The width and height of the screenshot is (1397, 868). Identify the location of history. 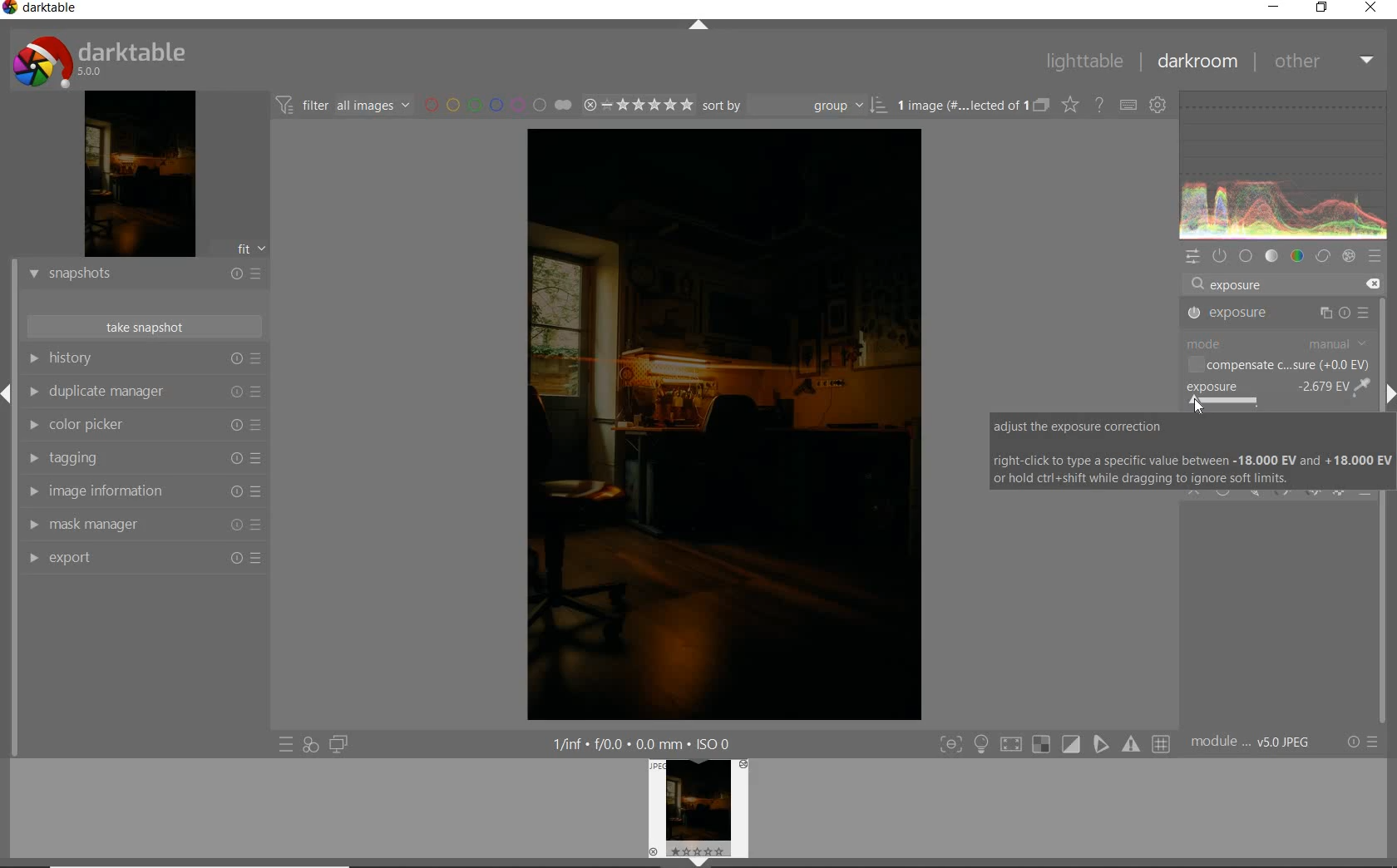
(146, 358).